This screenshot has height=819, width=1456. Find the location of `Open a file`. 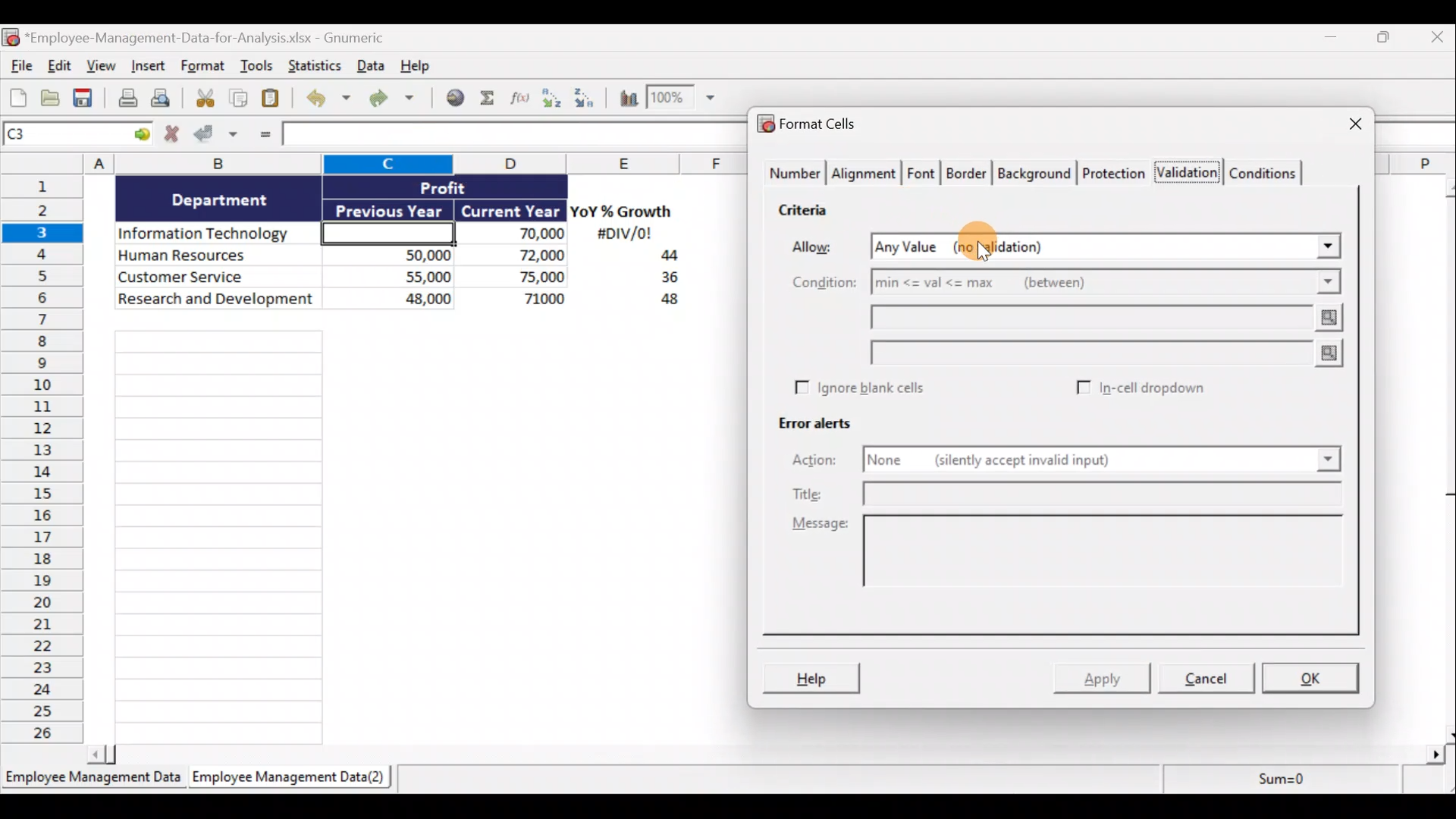

Open a file is located at coordinates (51, 99).